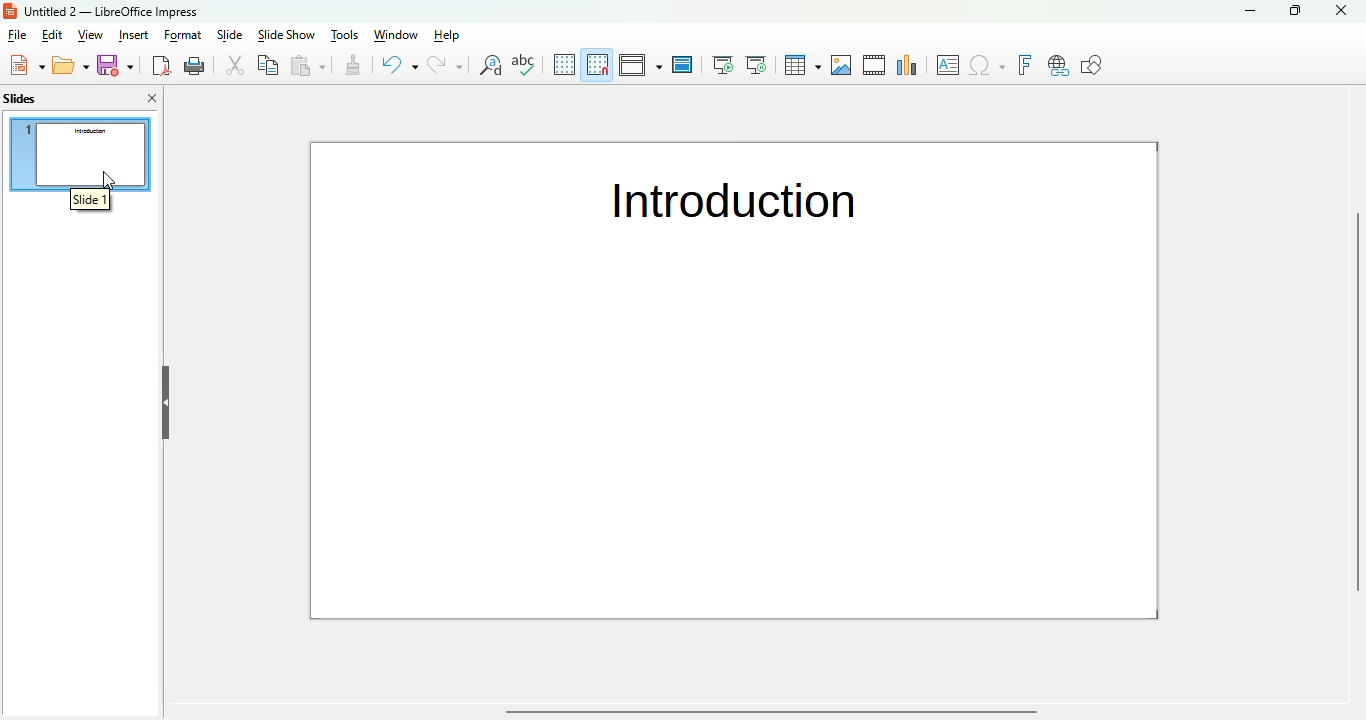 The width and height of the screenshot is (1366, 720). I want to click on find and replace, so click(491, 65).